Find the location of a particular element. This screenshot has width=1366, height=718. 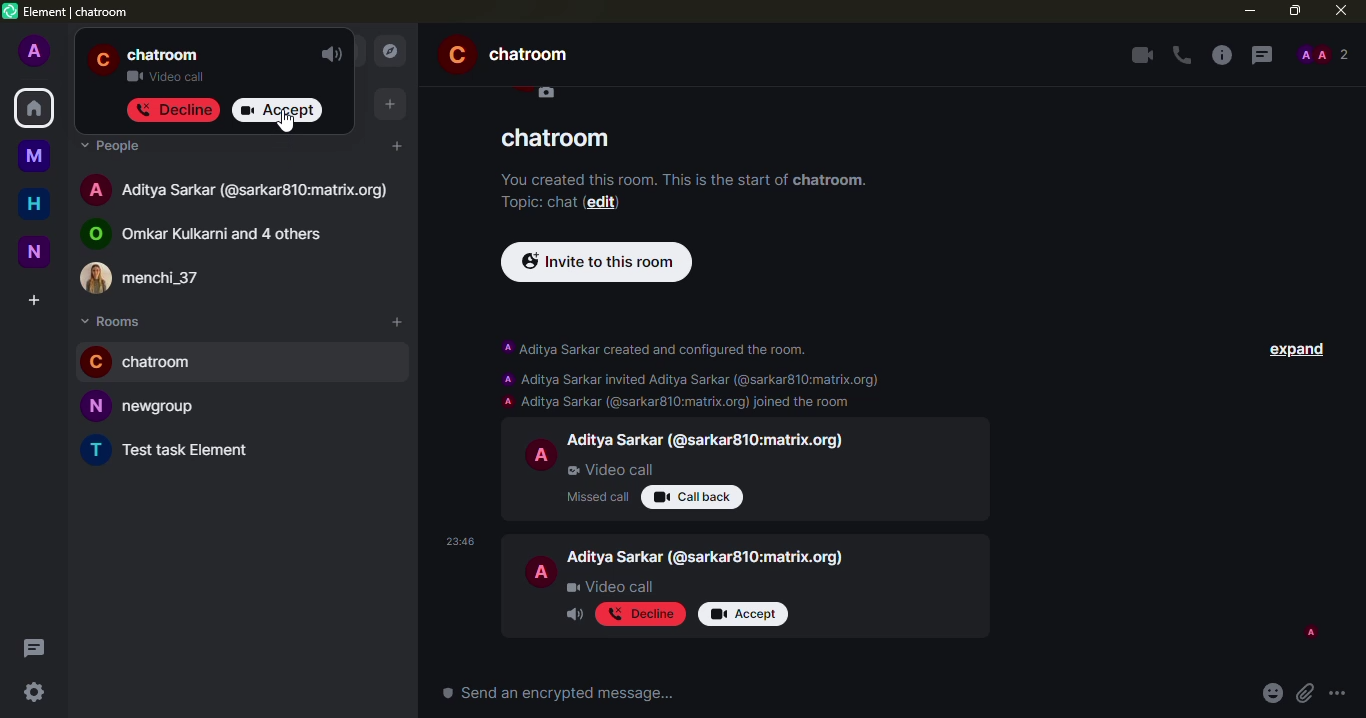

missed call is located at coordinates (596, 496).